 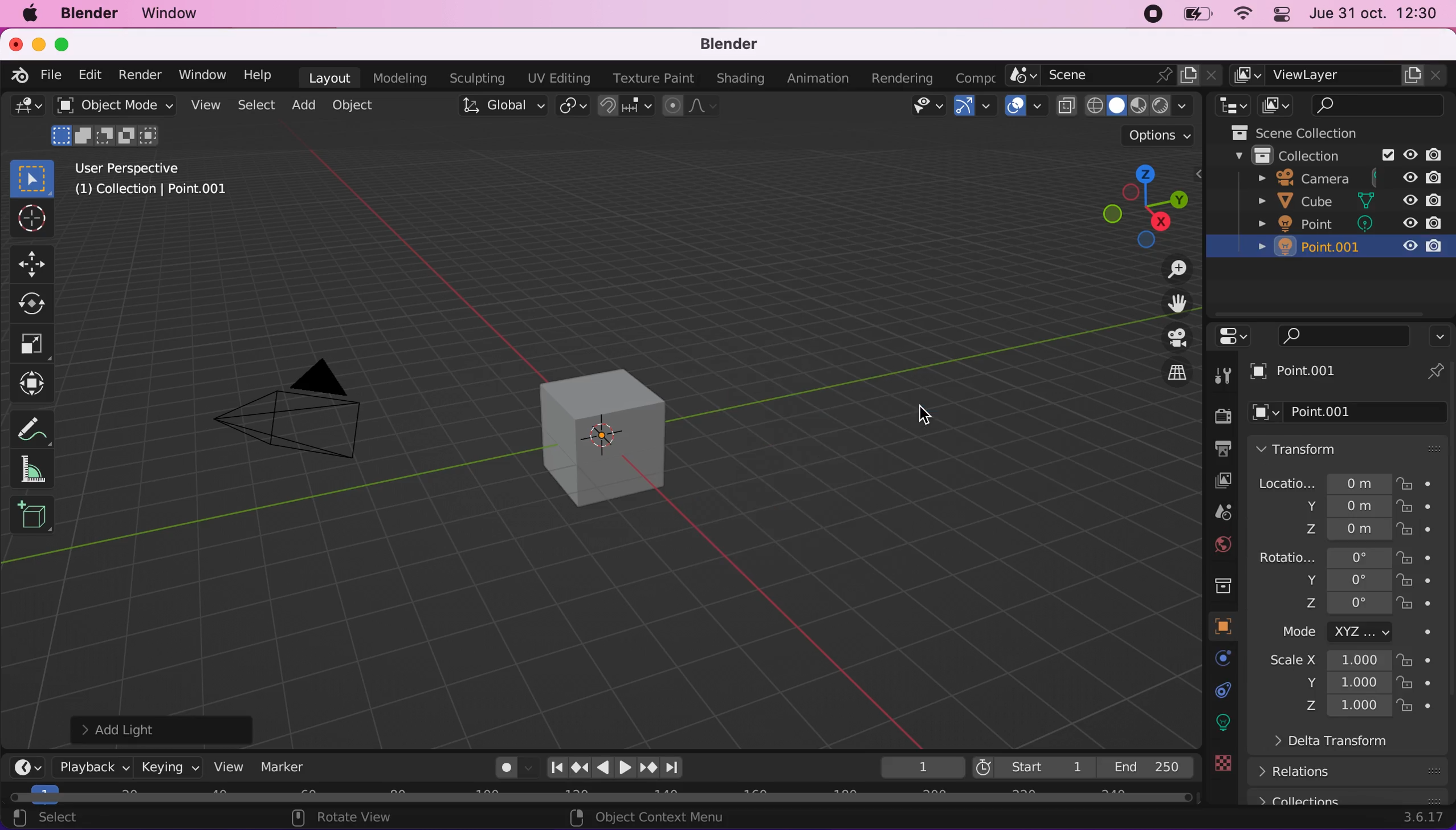 What do you see at coordinates (1284, 15) in the screenshot?
I see `panel control` at bounding box center [1284, 15].